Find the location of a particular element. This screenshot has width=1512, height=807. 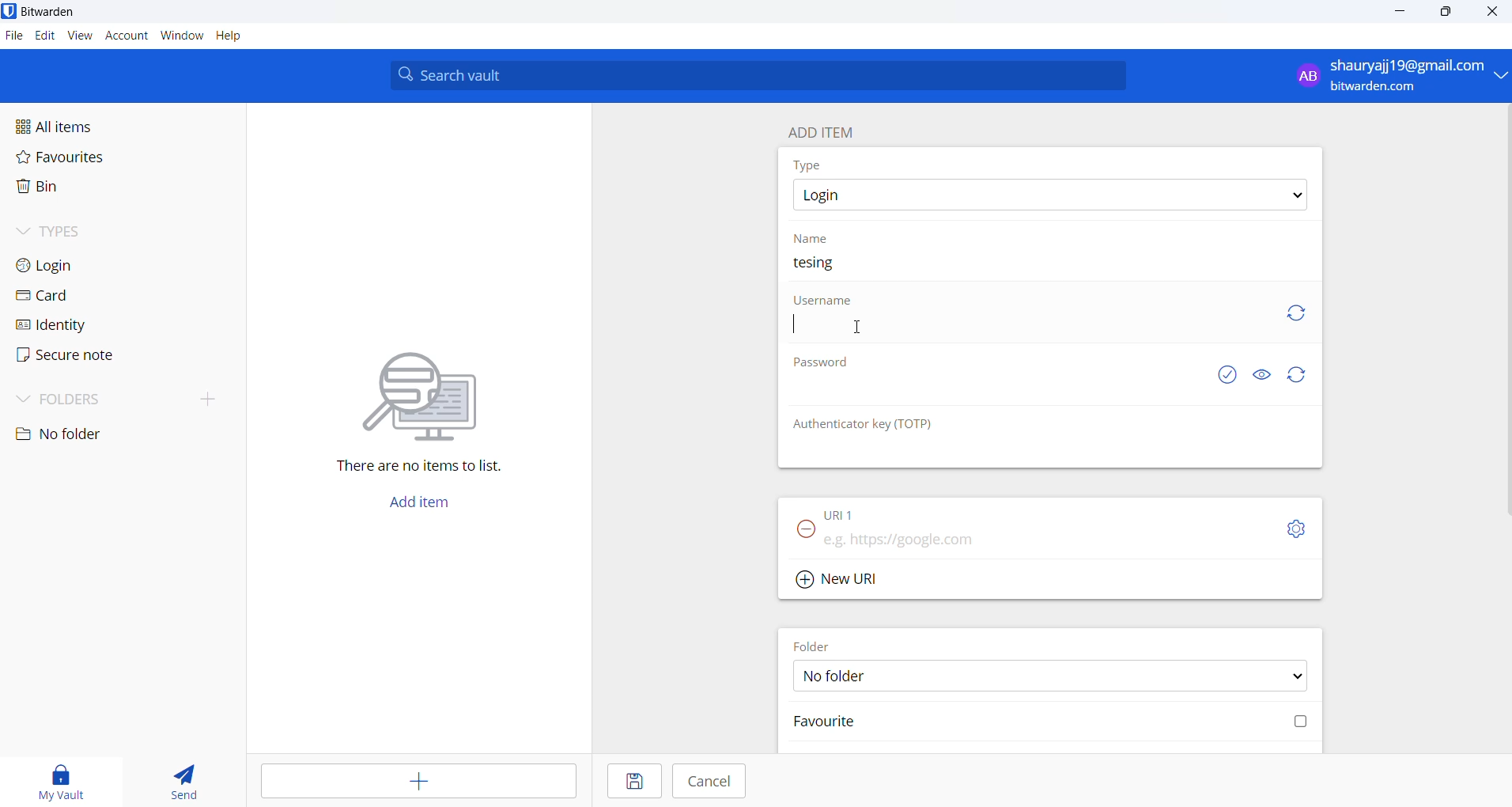

maximize is located at coordinates (1447, 13).